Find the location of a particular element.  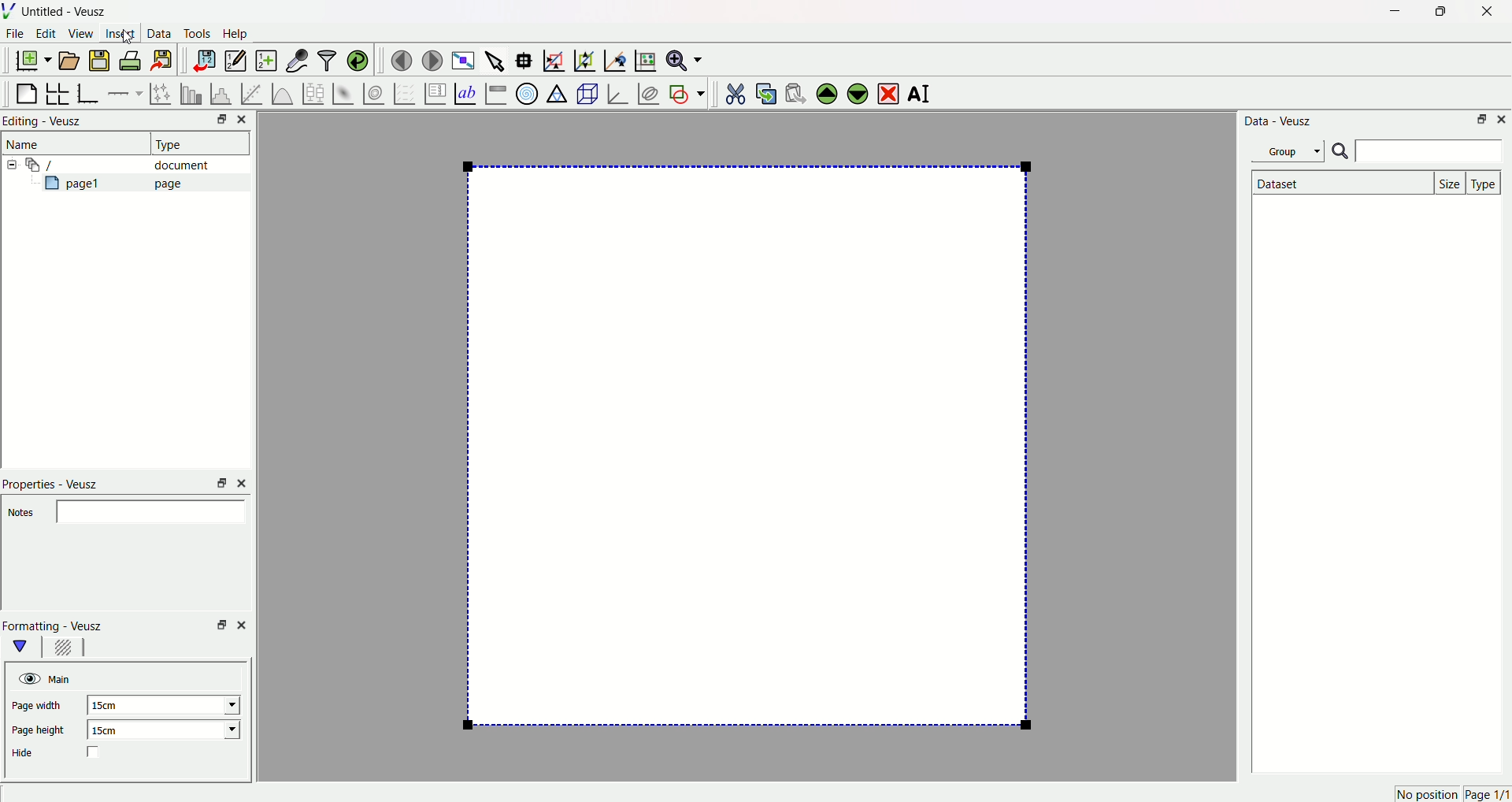

Minimize is located at coordinates (1391, 12).